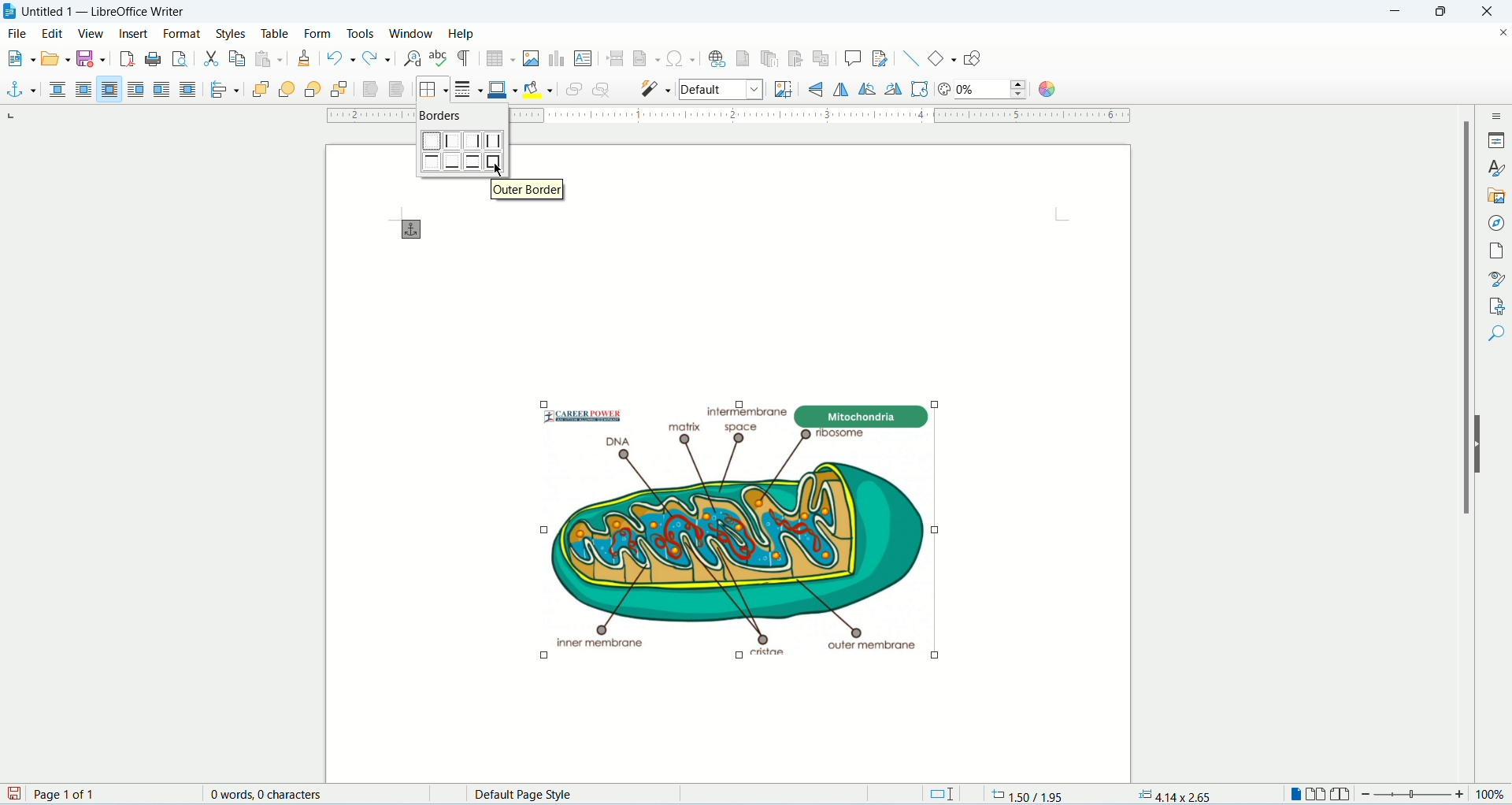  Describe the element at coordinates (1497, 253) in the screenshot. I see `pages` at that location.